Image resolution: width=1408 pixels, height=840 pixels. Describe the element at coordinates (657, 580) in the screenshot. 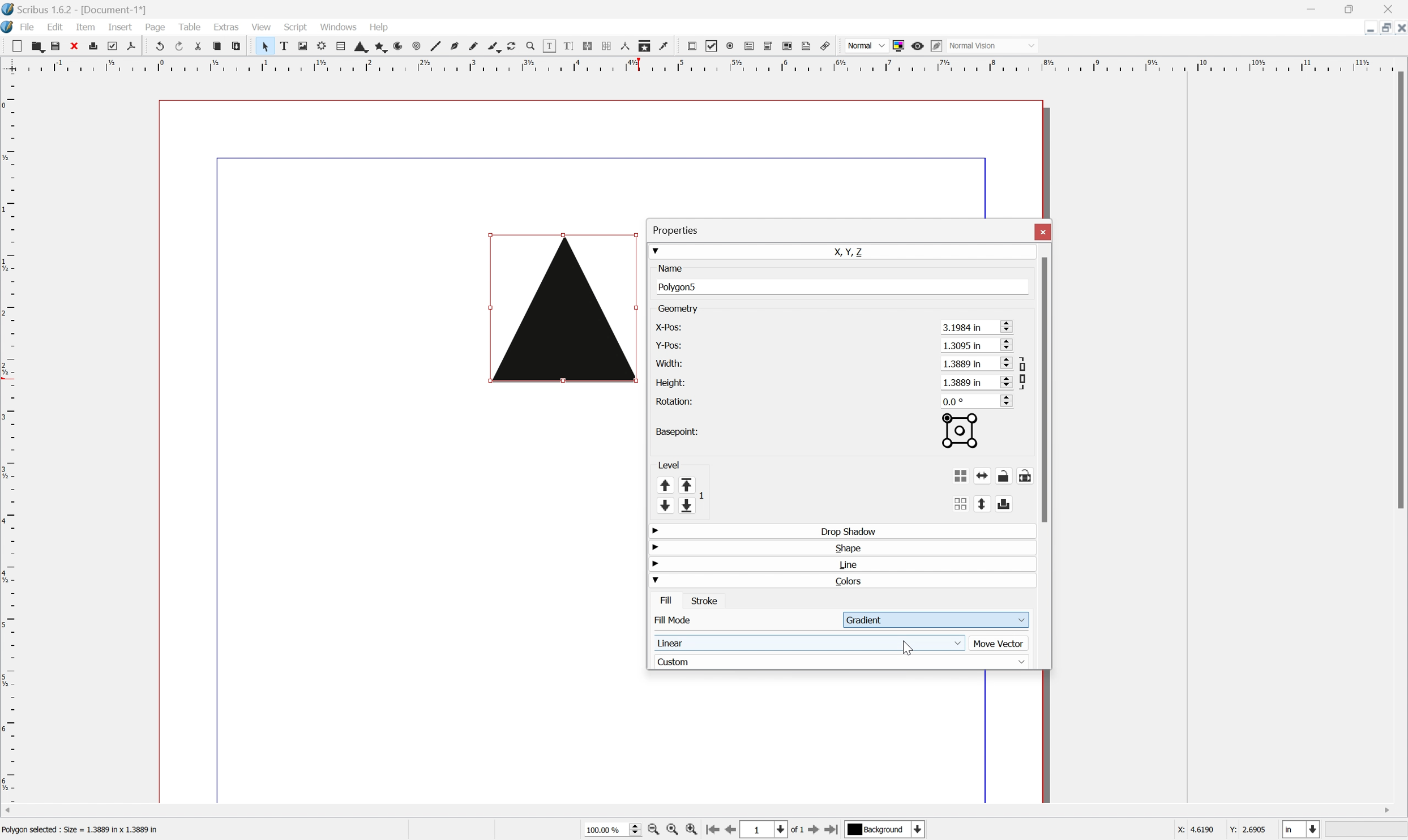

I see `Drop Down` at that location.